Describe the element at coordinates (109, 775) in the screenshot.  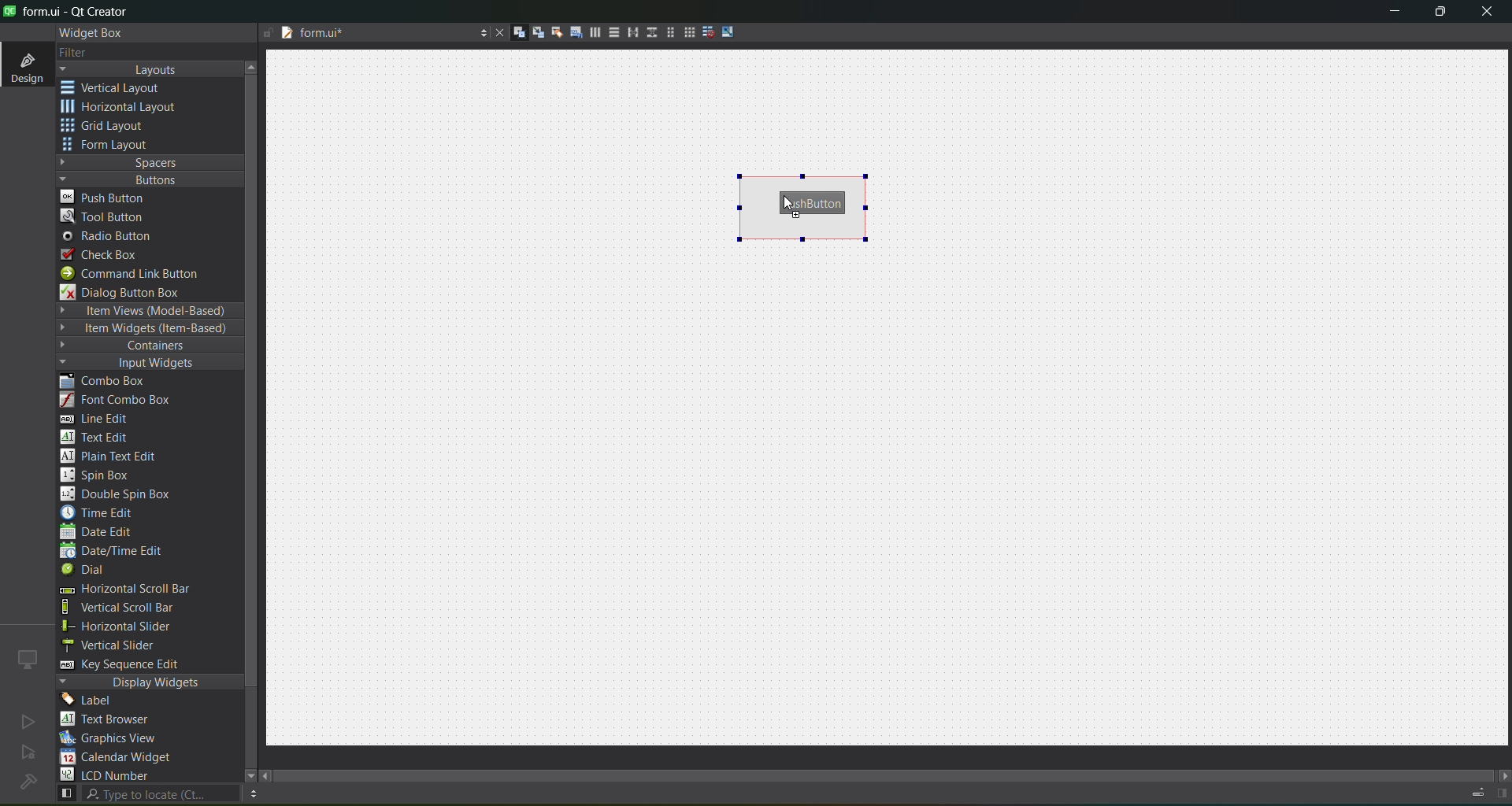
I see `lcd number` at that location.